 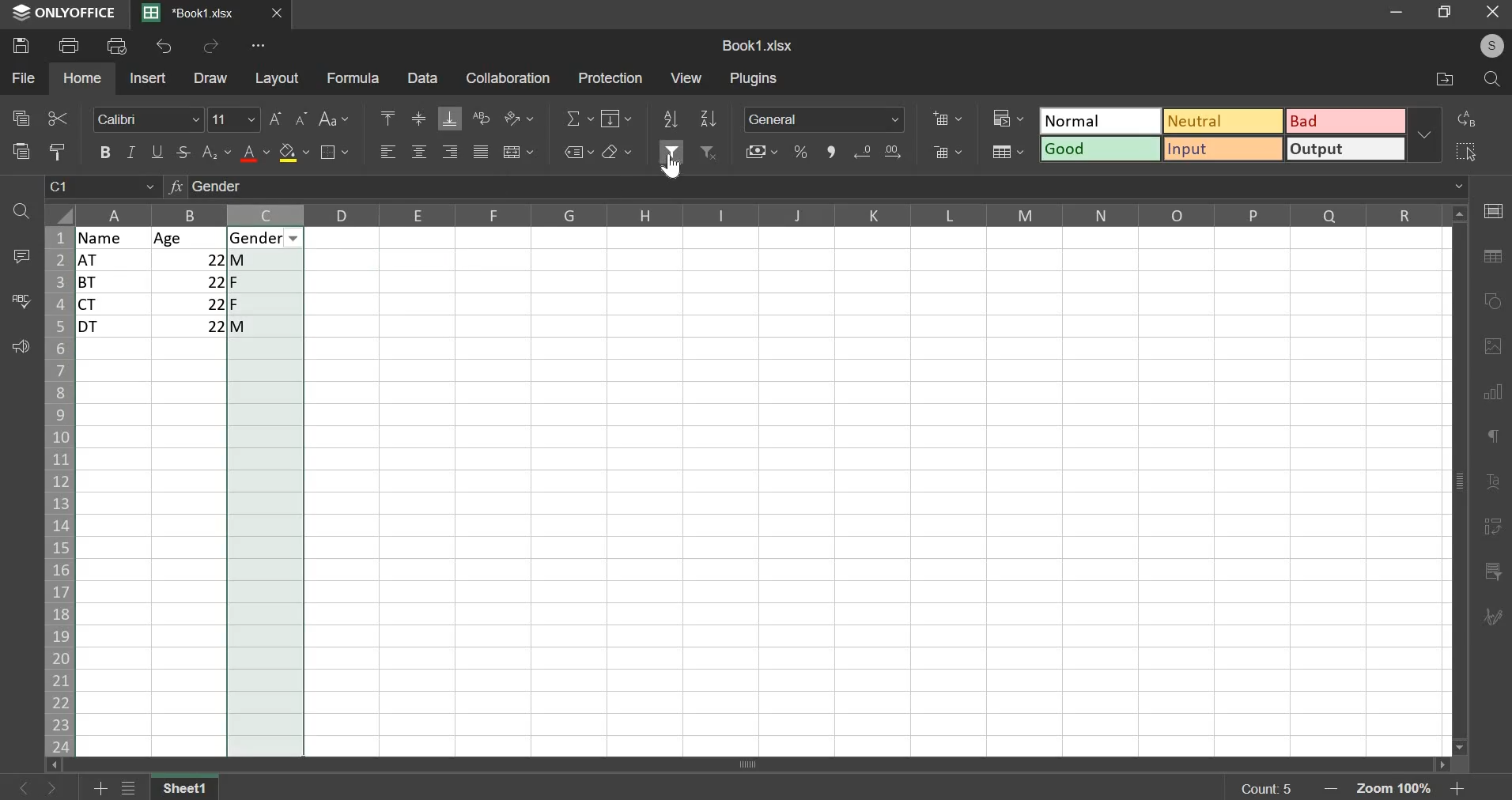 I want to click on m, so click(x=266, y=329).